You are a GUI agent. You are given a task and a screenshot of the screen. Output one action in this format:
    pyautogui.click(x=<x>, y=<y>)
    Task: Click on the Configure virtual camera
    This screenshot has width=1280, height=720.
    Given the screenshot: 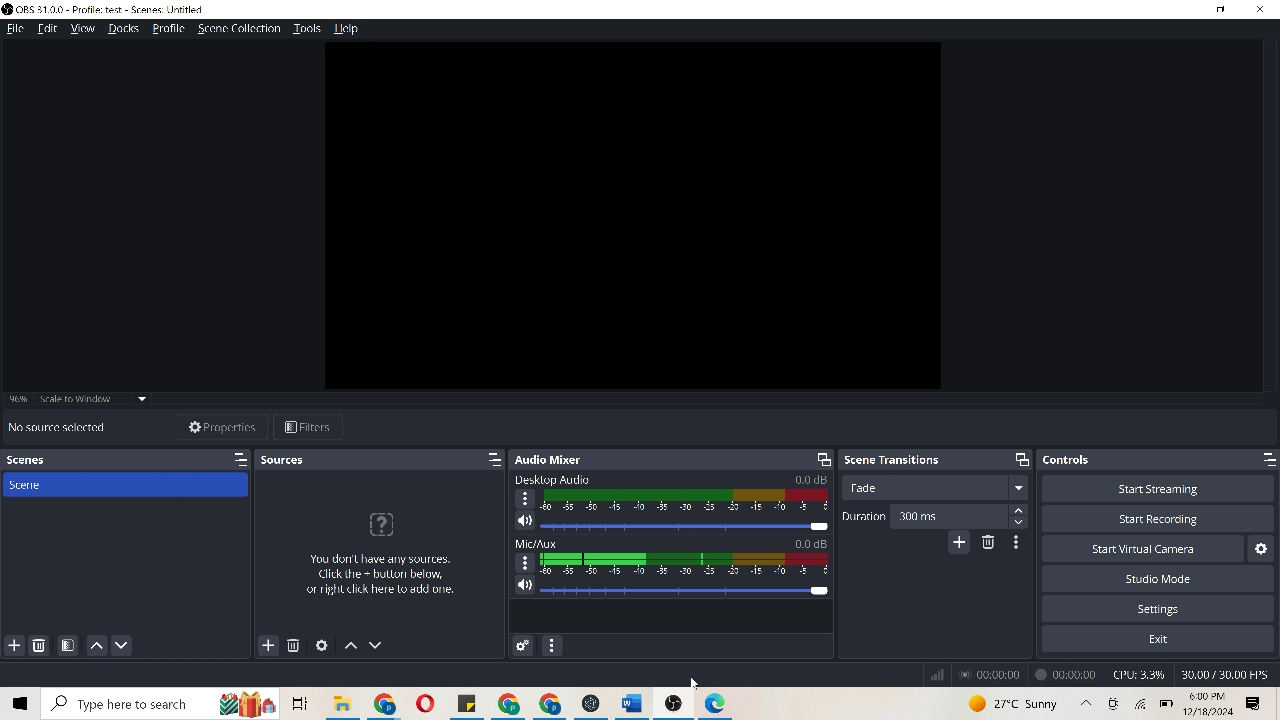 What is the action you would take?
    pyautogui.click(x=1263, y=547)
    